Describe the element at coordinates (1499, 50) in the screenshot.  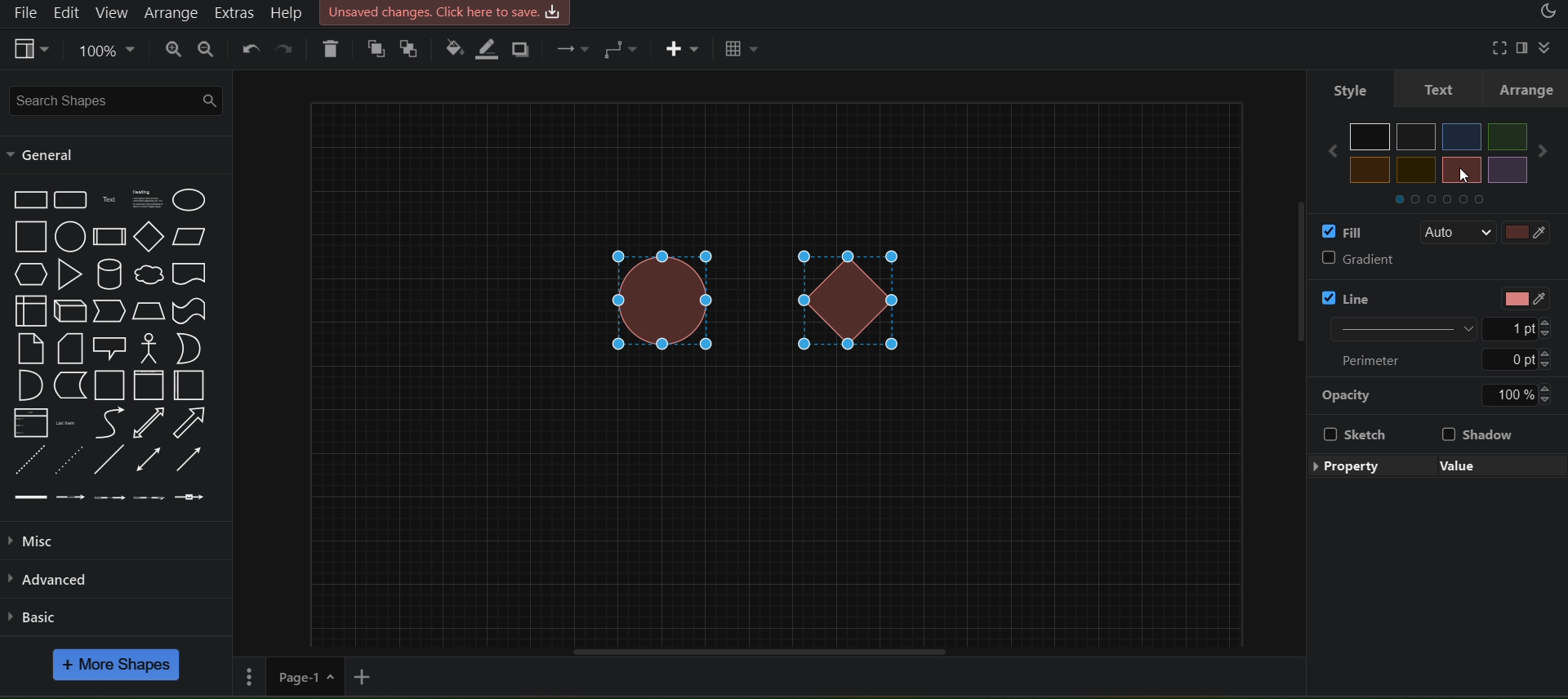
I see `fullscreen` at that location.